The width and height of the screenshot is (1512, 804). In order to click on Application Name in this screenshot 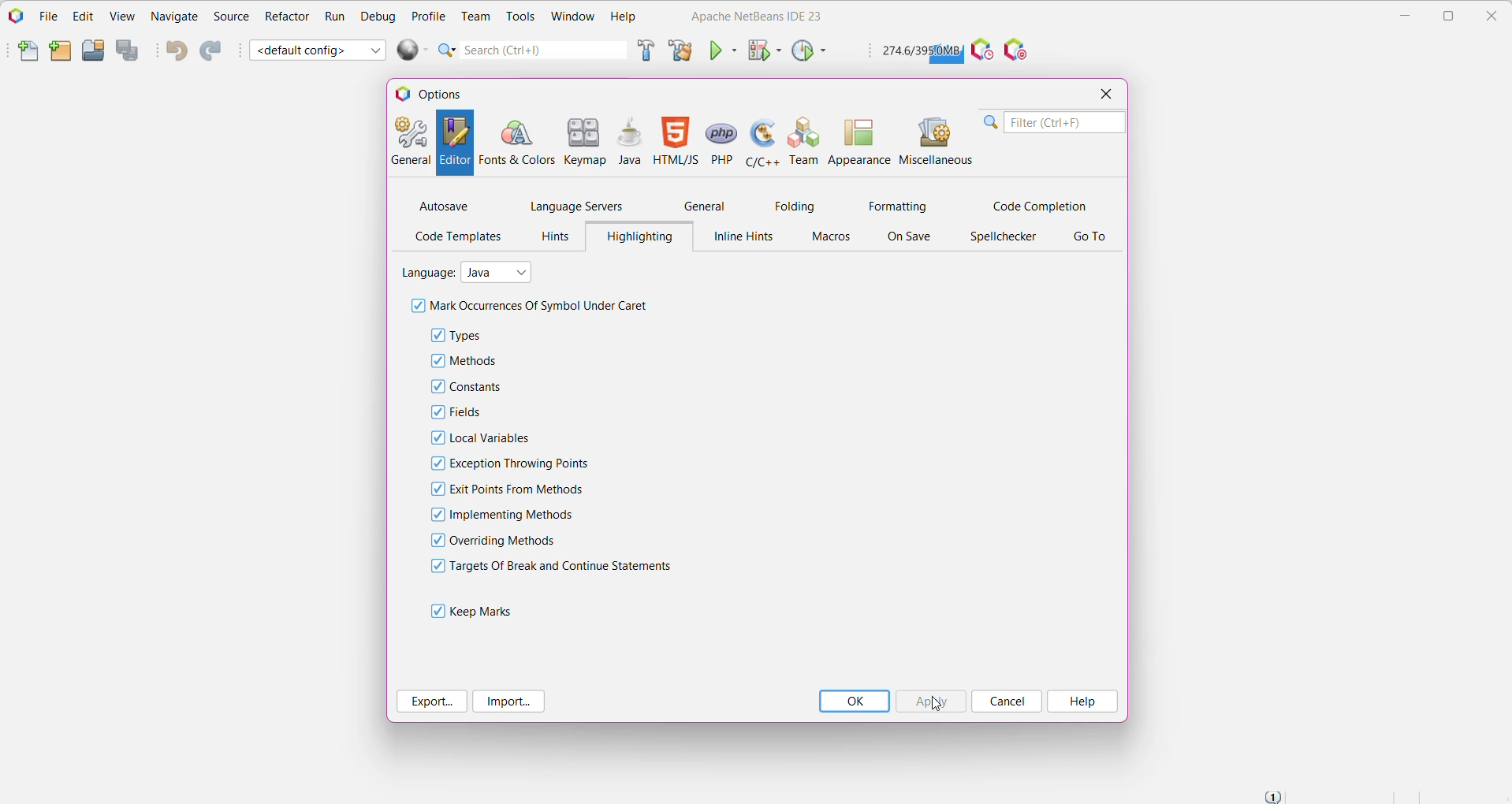, I will do `click(751, 17)`.